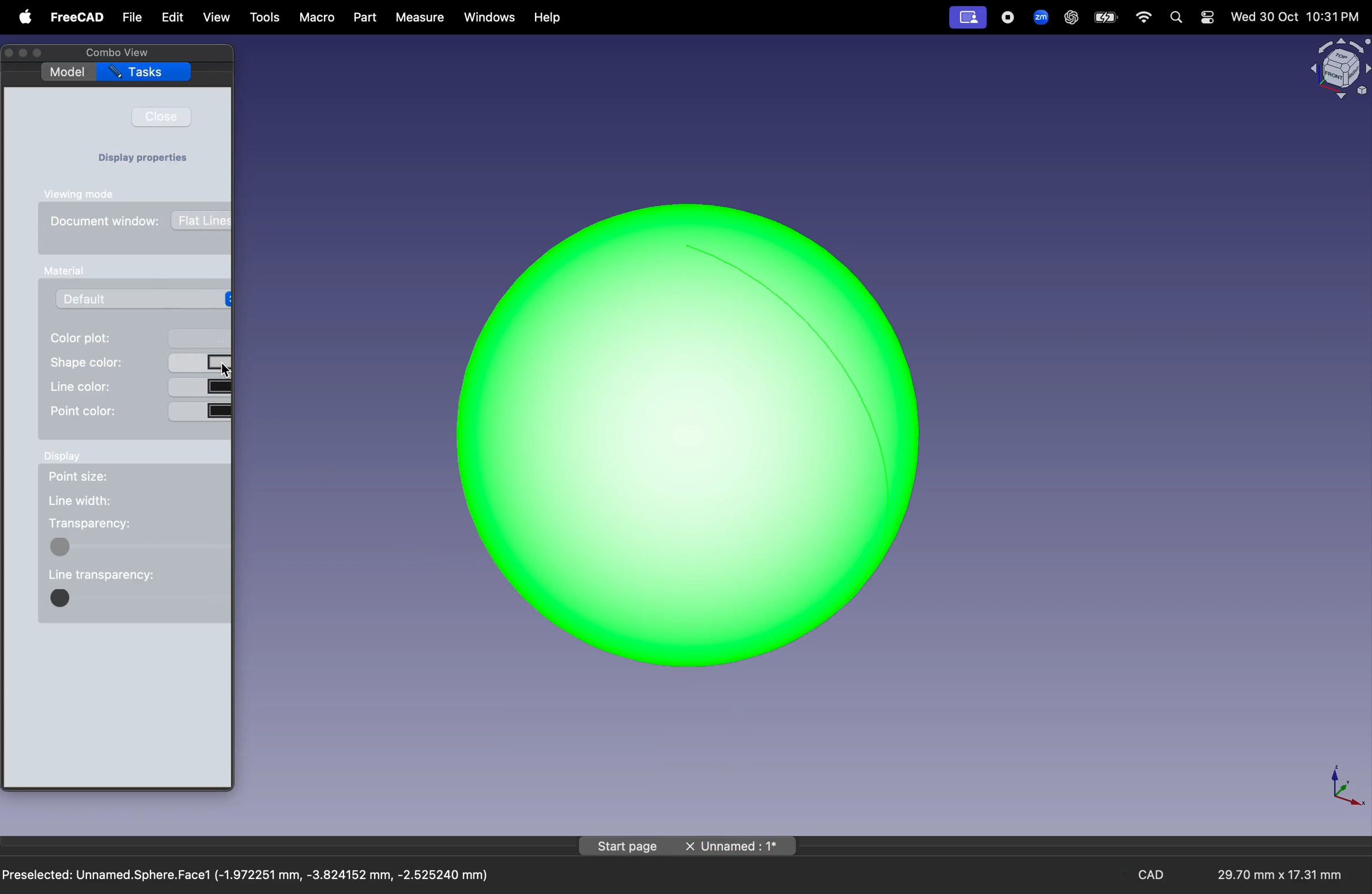  I want to click on model, so click(67, 72).